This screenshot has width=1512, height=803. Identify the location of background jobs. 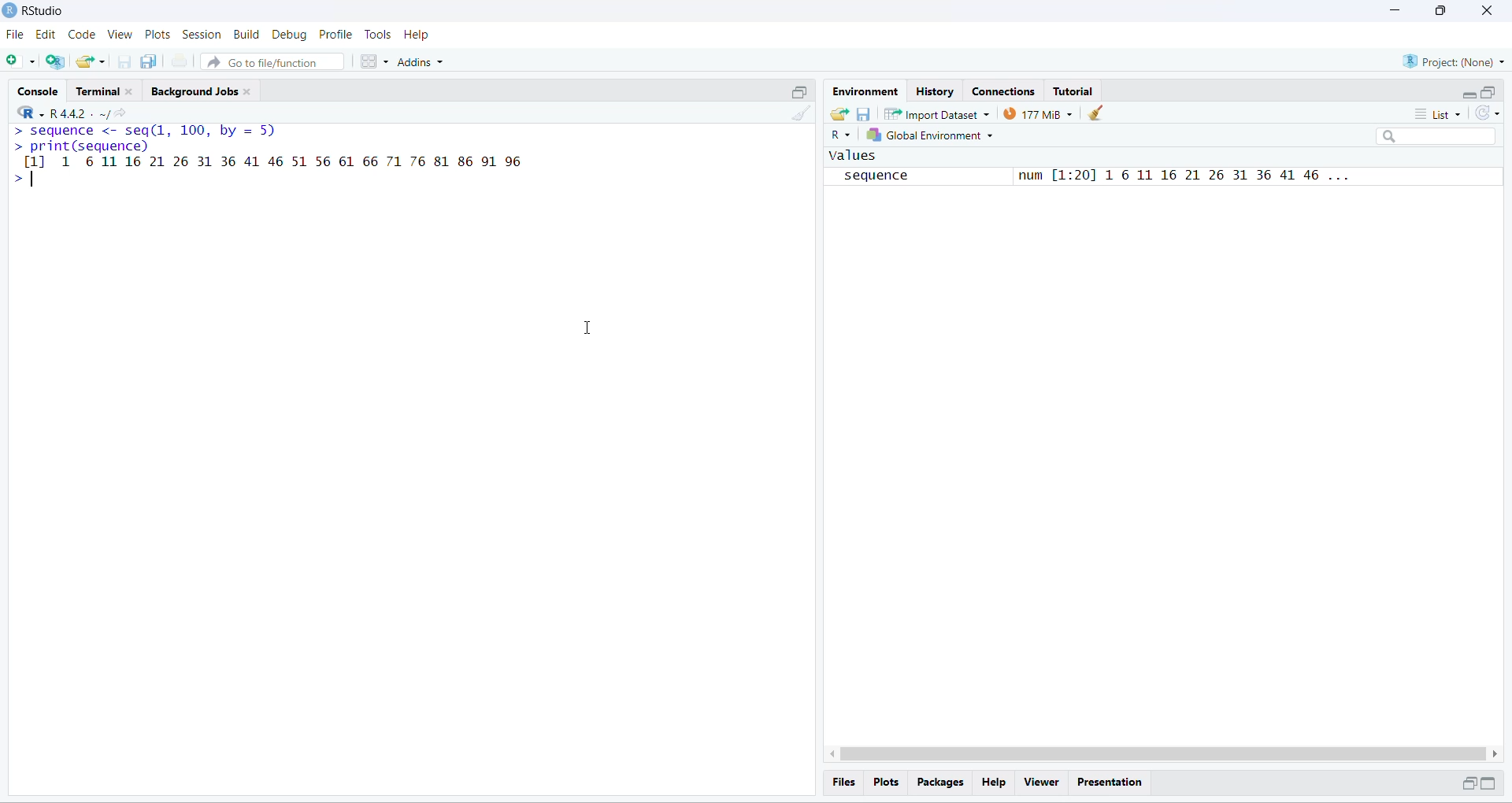
(194, 92).